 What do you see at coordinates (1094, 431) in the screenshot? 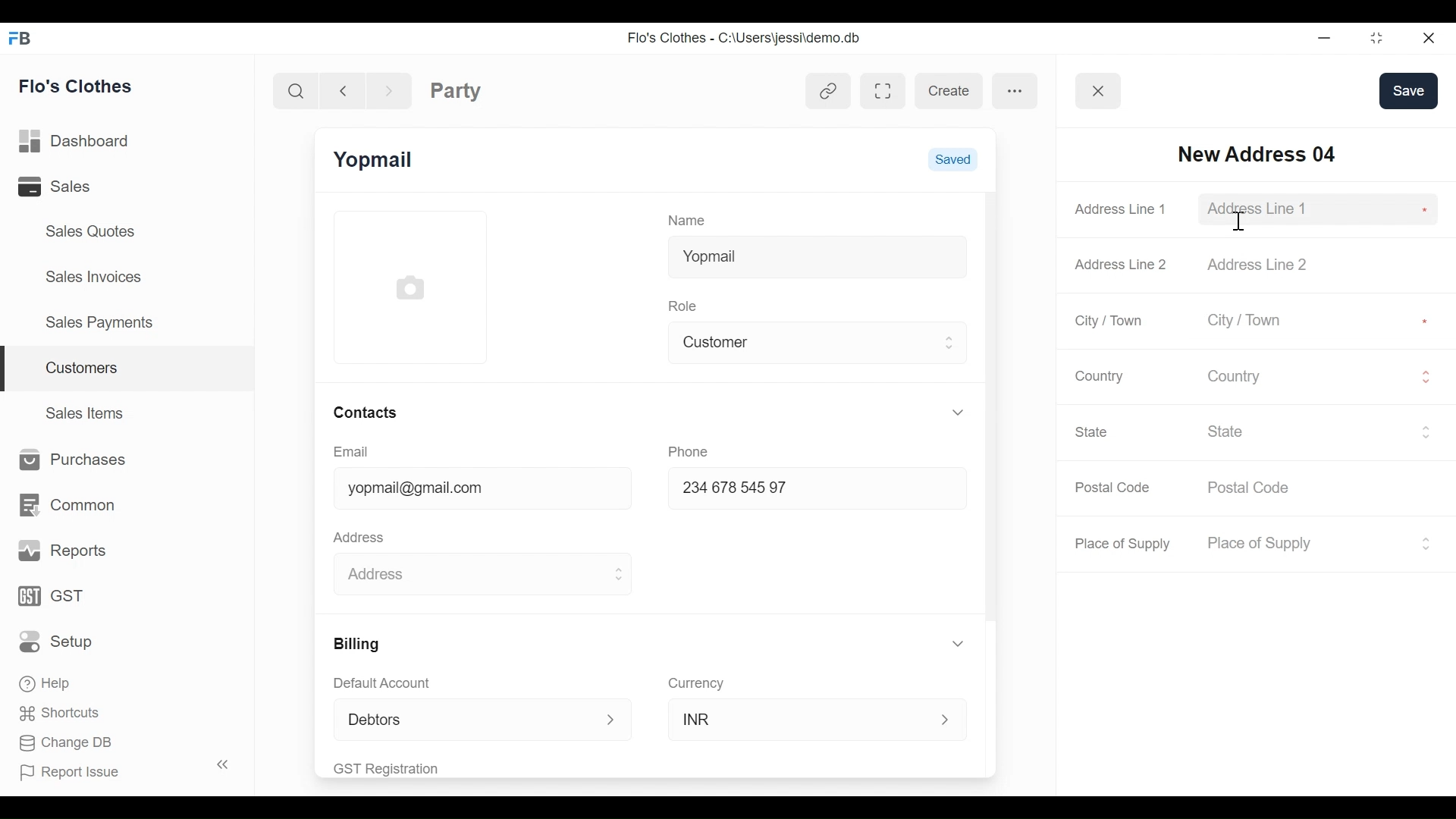
I see `State` at bounding box center [1094, 431].